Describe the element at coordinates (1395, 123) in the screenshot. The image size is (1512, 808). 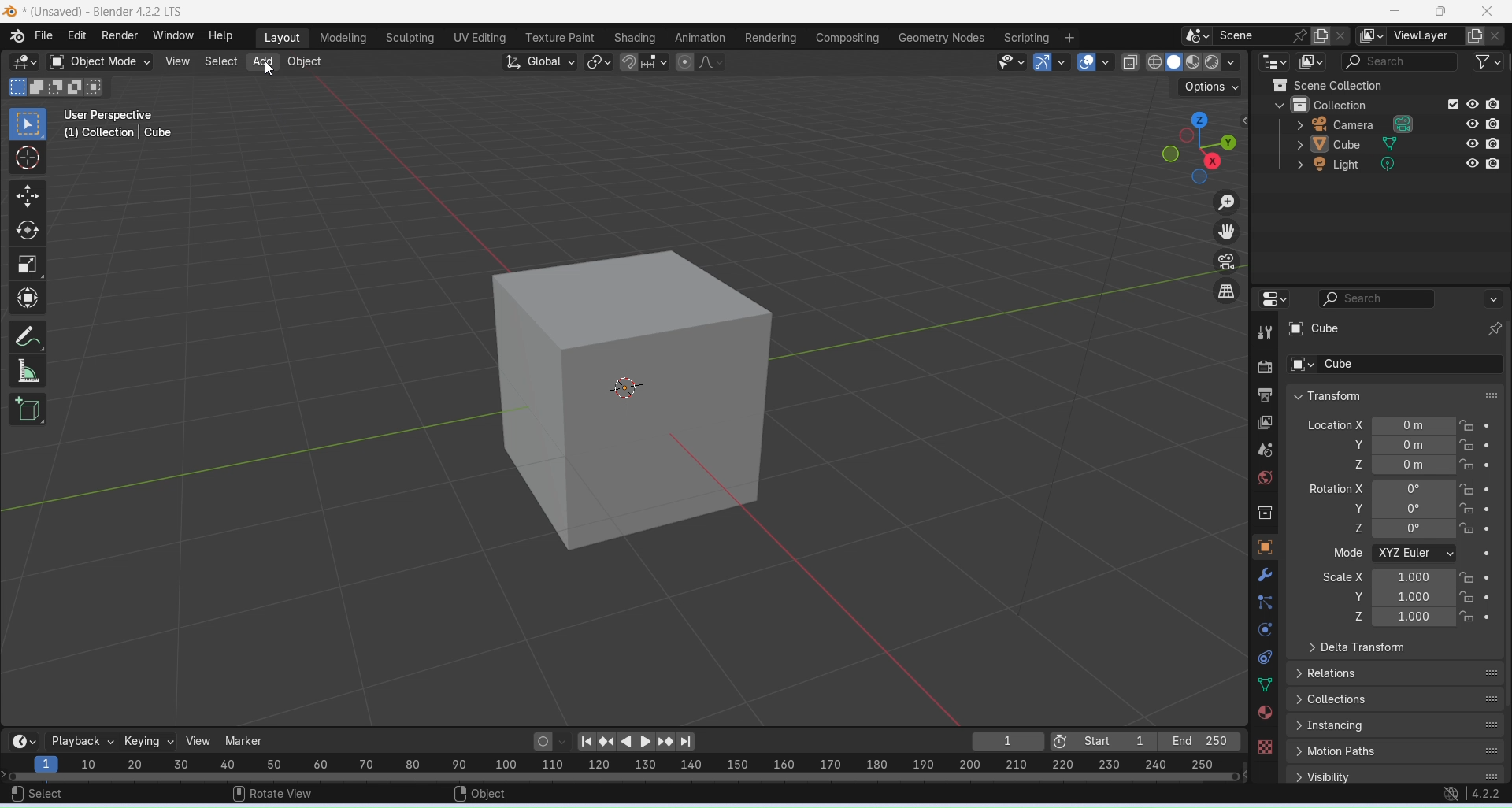
I see `Camera layer` at that location.